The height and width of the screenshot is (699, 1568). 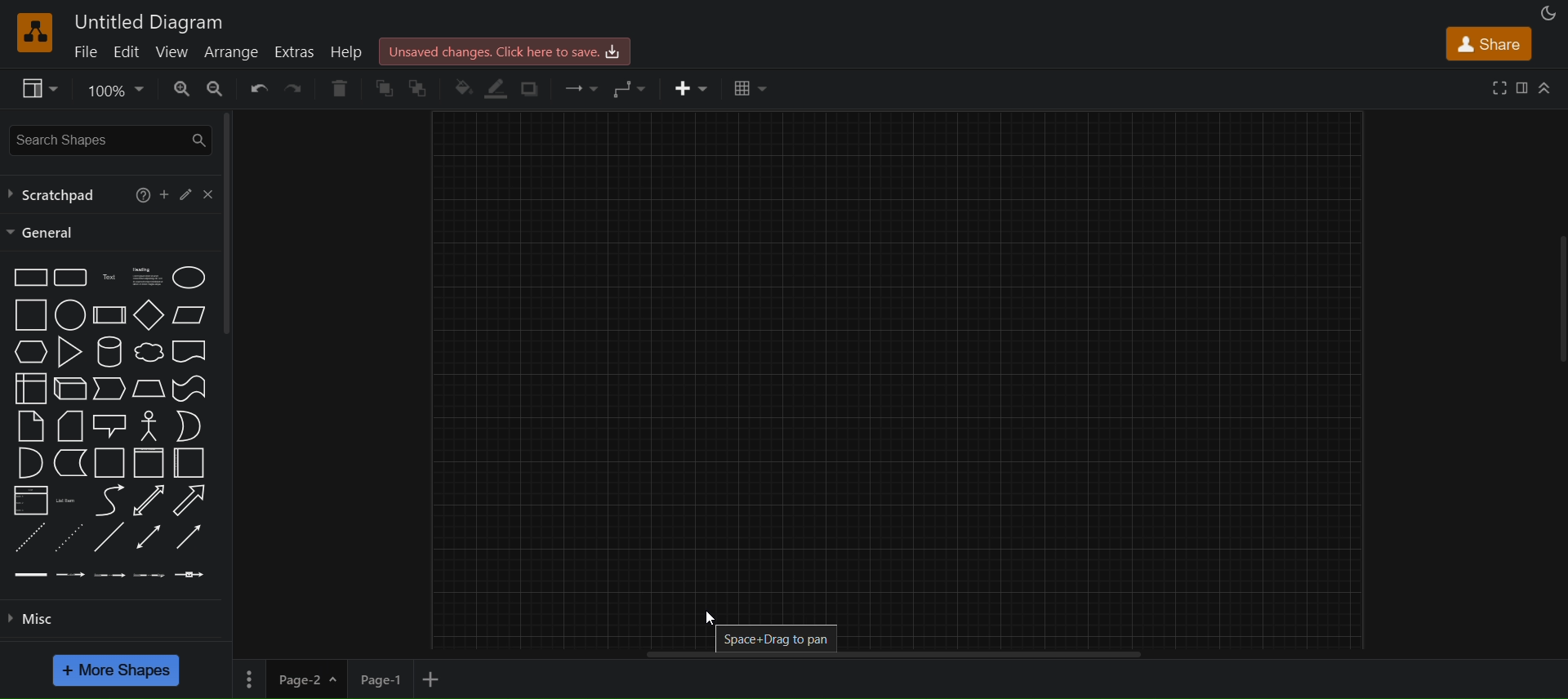 I want to click on connector with symbol, so click(x=191, y=574).